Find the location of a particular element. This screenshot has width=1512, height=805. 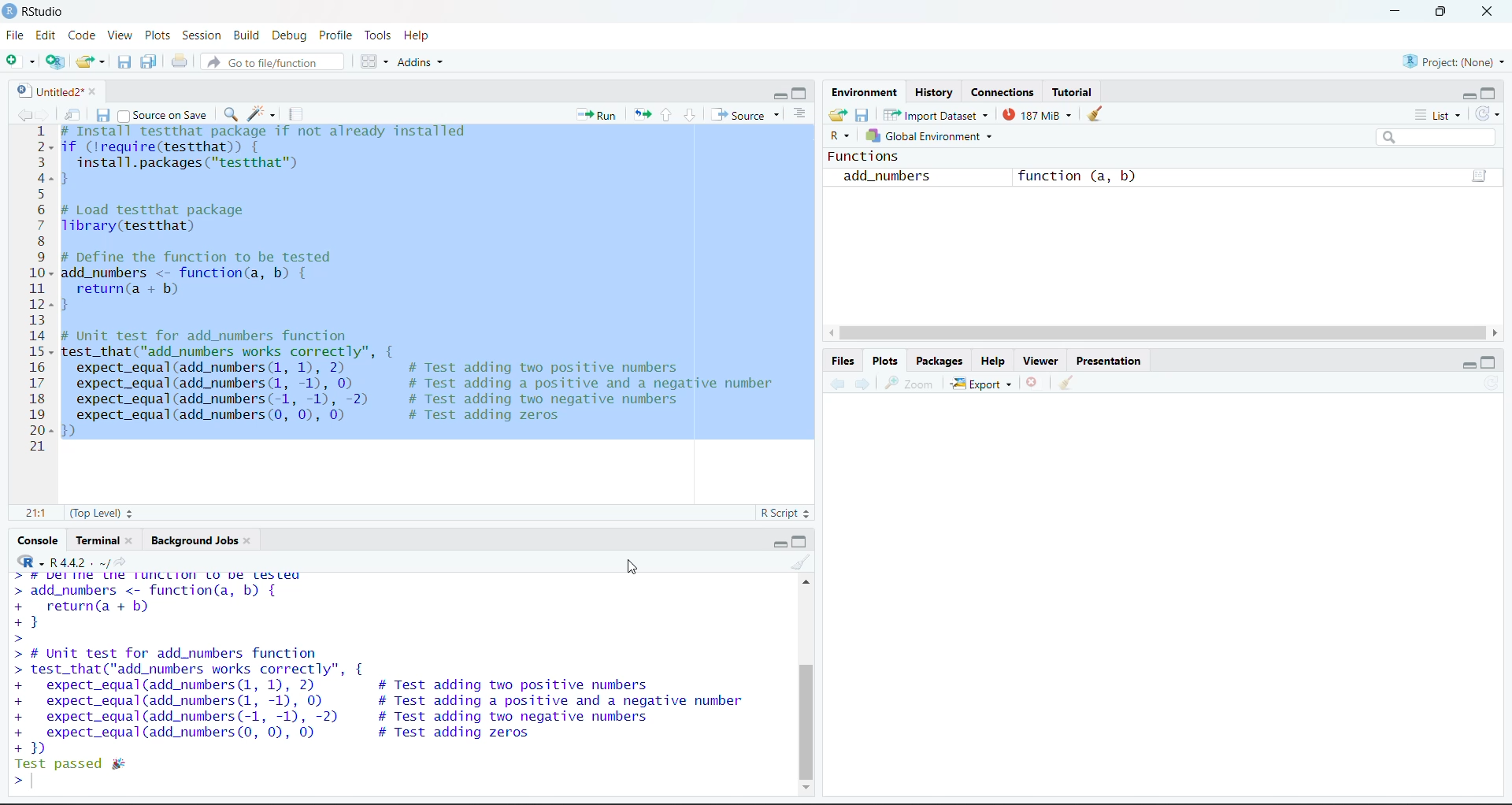

source on save is located at coordinates (166, 116).